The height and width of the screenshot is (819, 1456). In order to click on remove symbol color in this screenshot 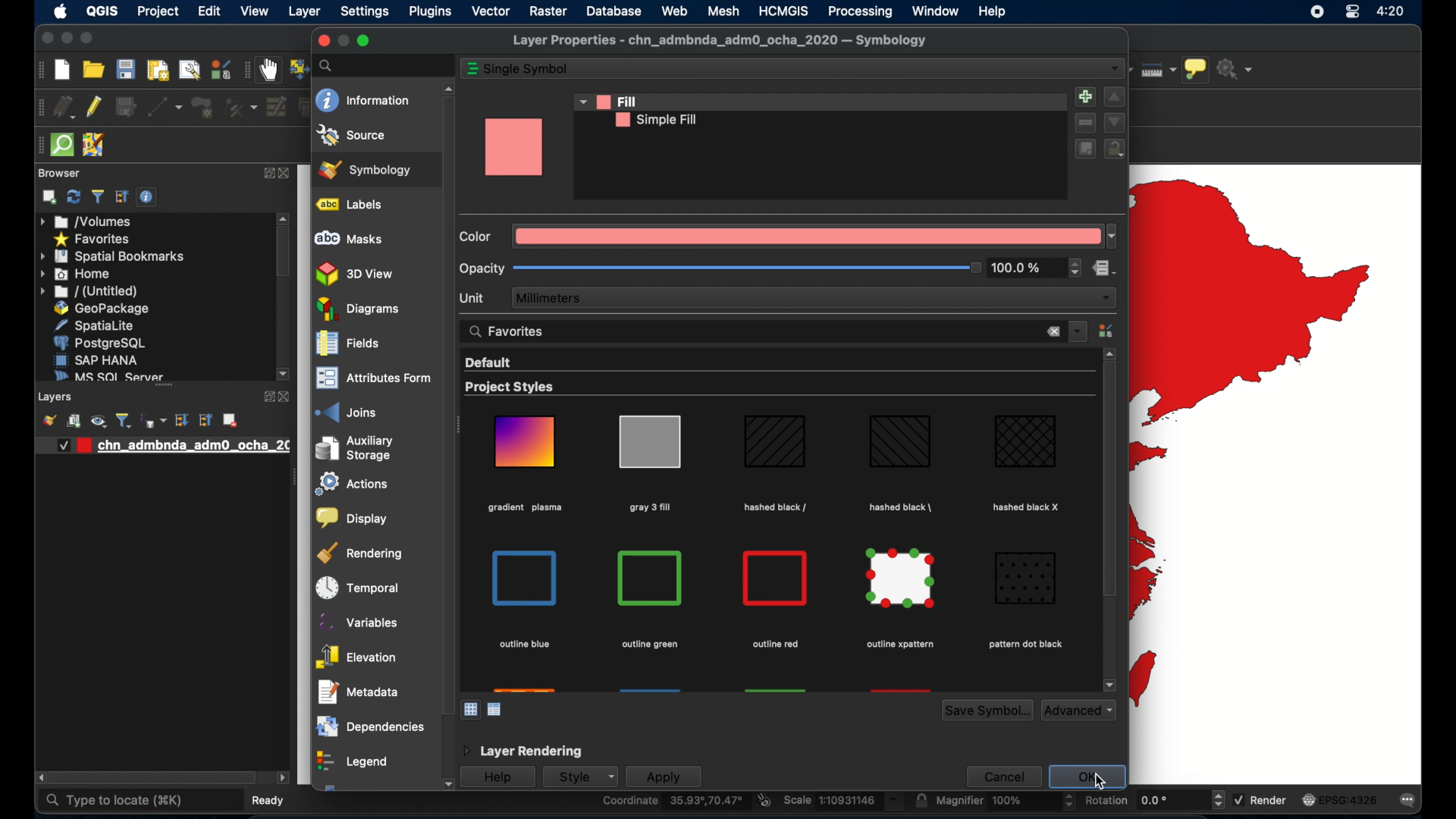, I will do `click(1087, 123)`.